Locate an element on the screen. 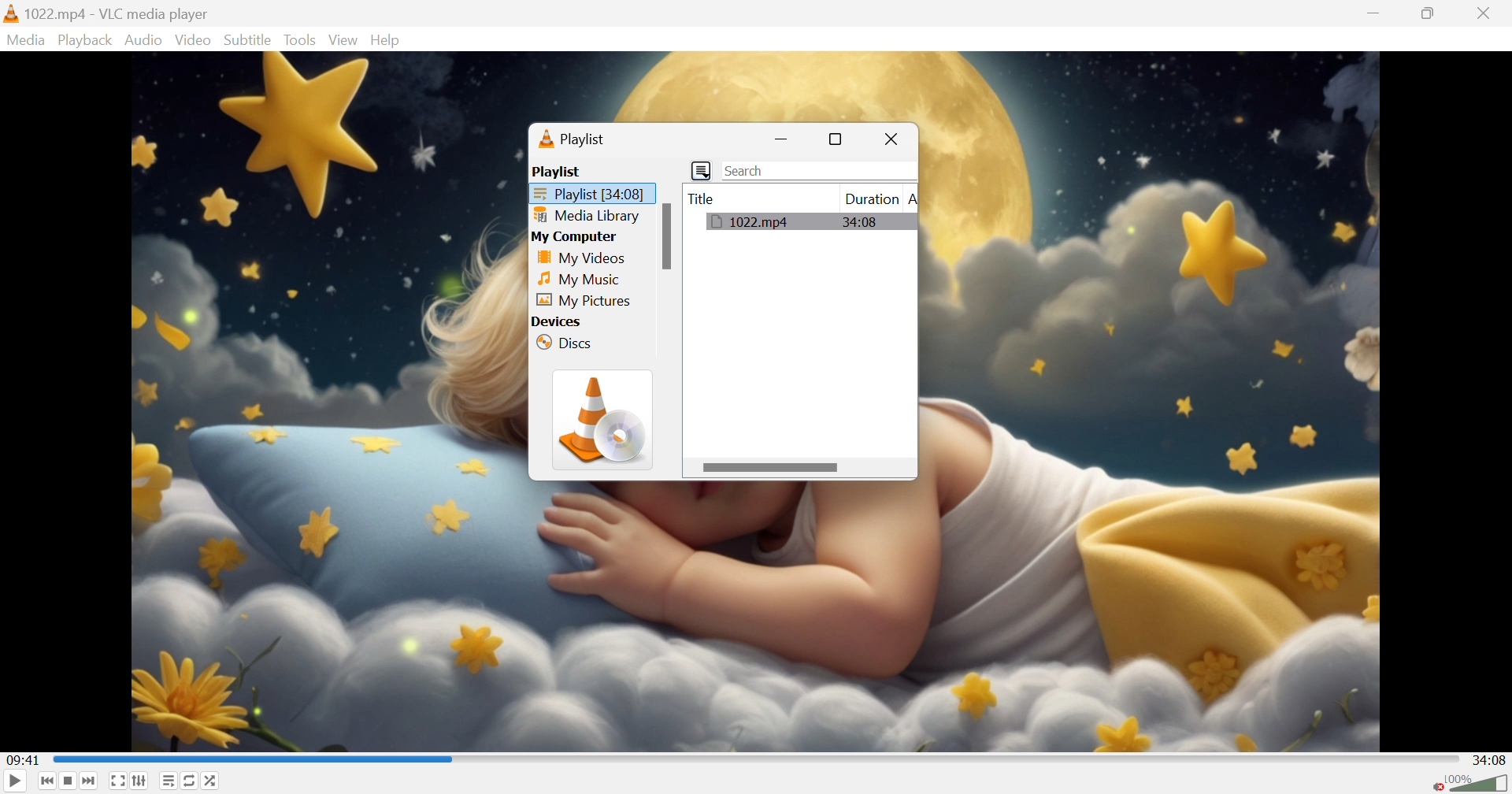 This screenshot has width=1512, height=794. Duration is located at coordinates (869, 198).